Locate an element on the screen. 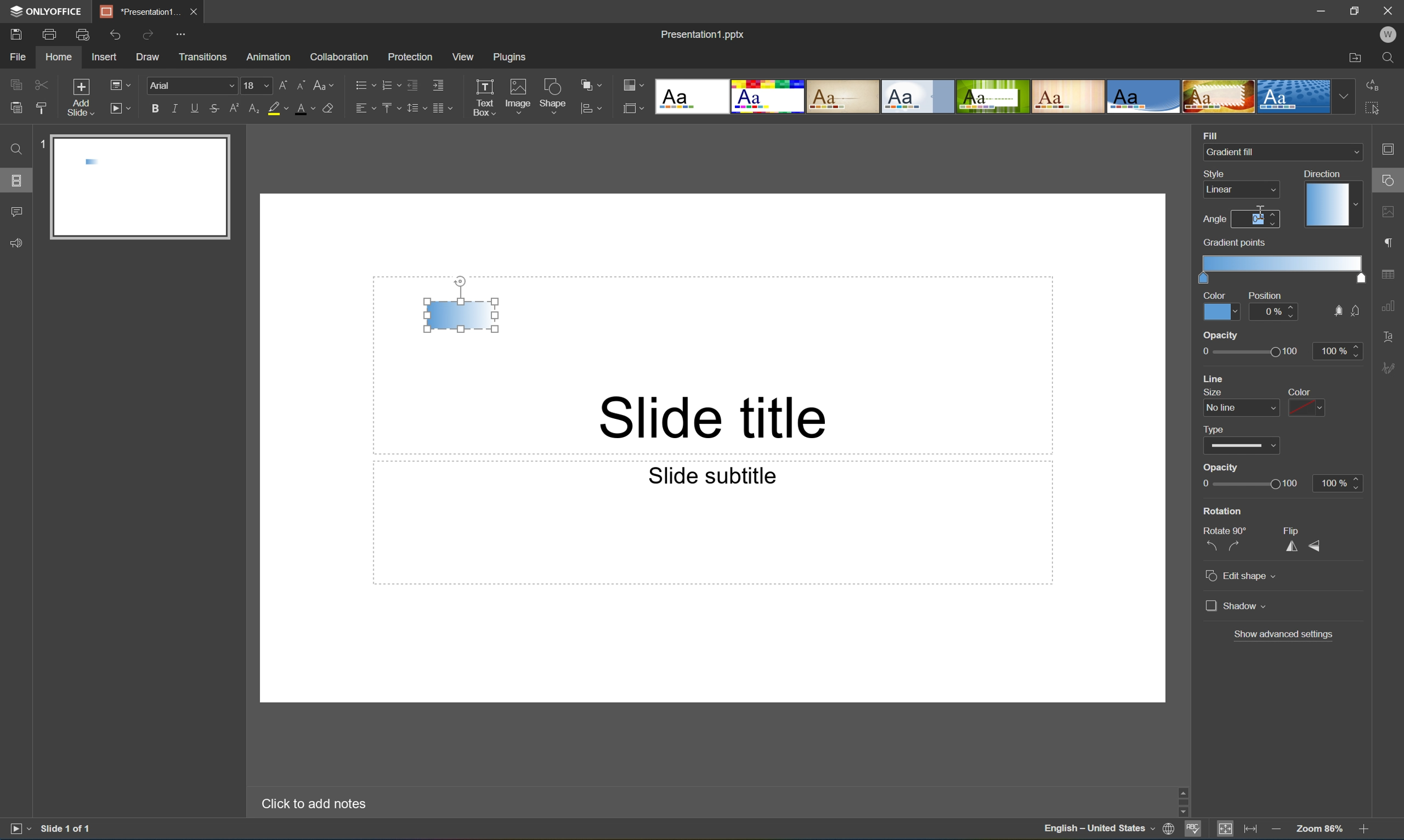 This screenshot has width=1404, height=840. Close is located at coordinates (192, 10).